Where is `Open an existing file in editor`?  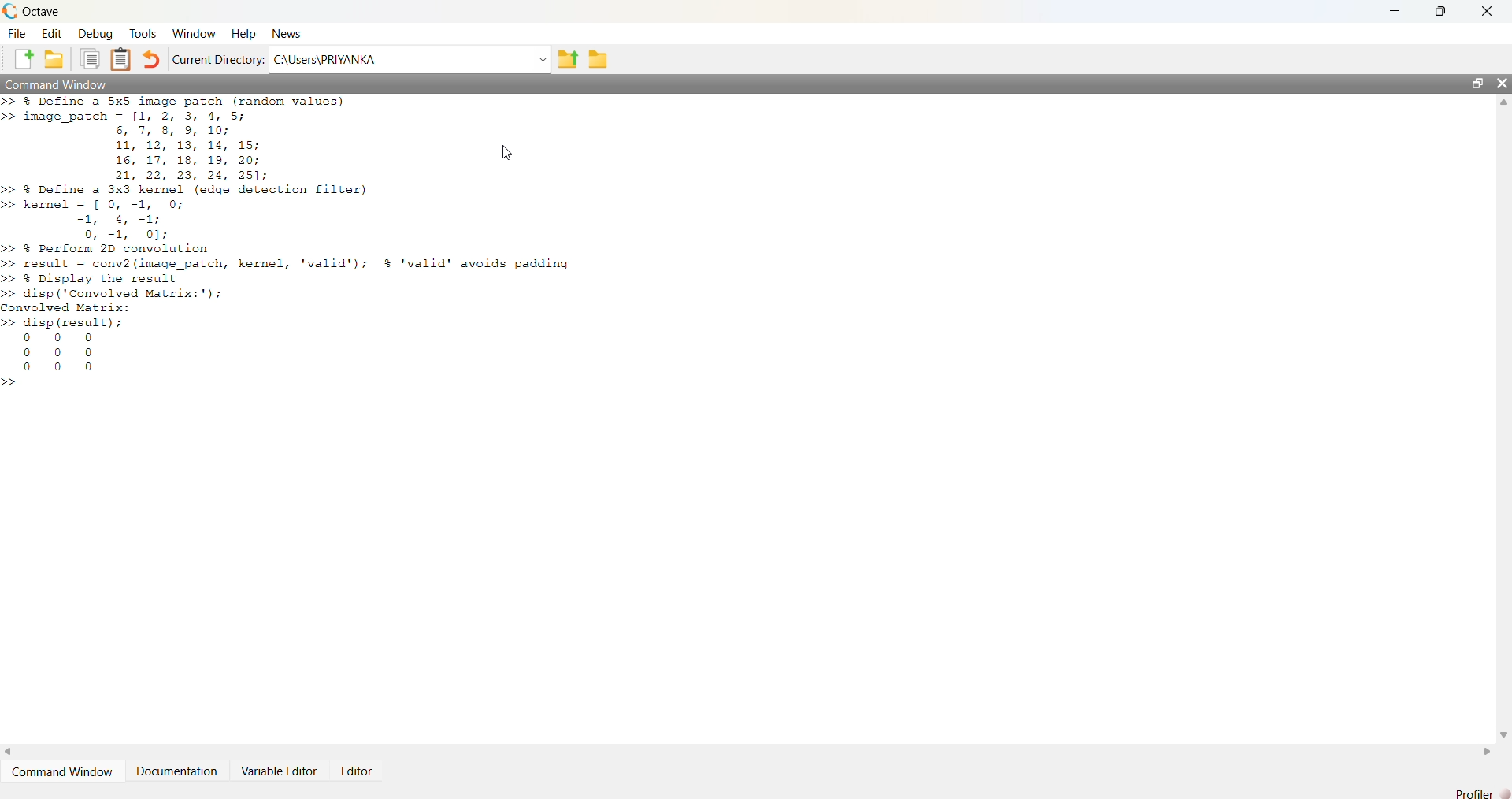 Open an existing file in editor is located at coordinates (56, 57).